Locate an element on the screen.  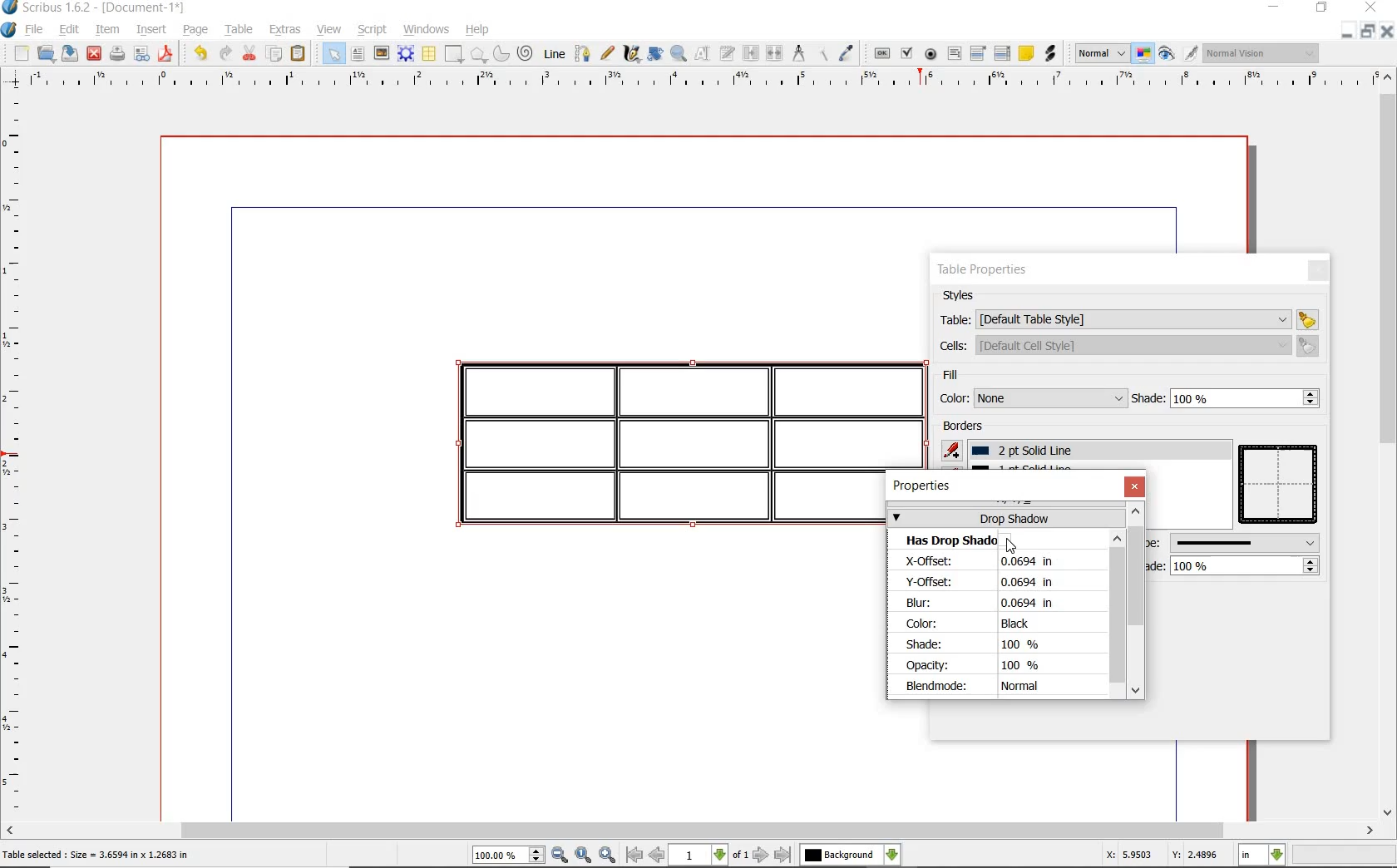
line is located at coordinates (554, 53).